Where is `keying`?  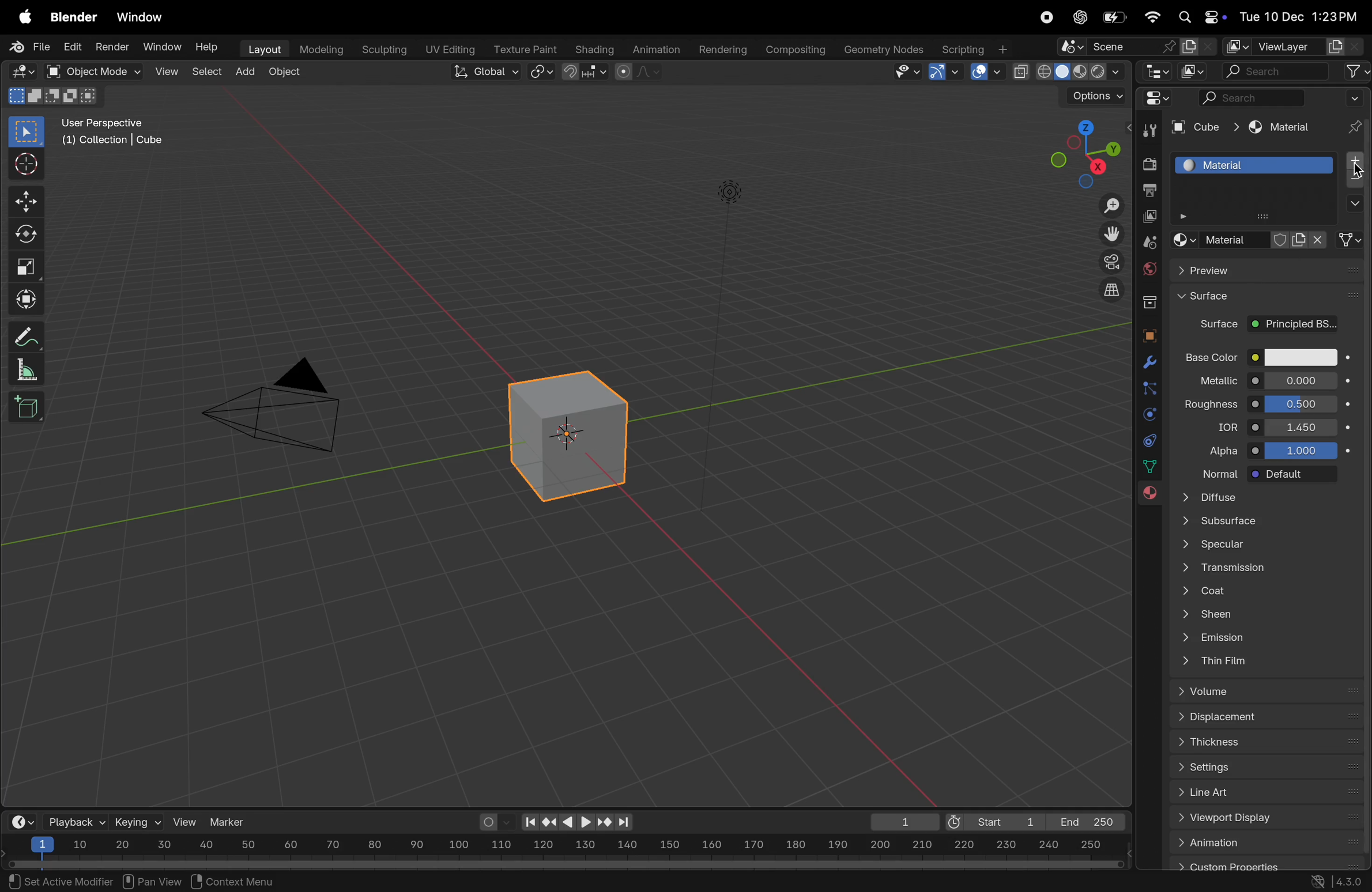
keying is located at coordinates (137, 821).